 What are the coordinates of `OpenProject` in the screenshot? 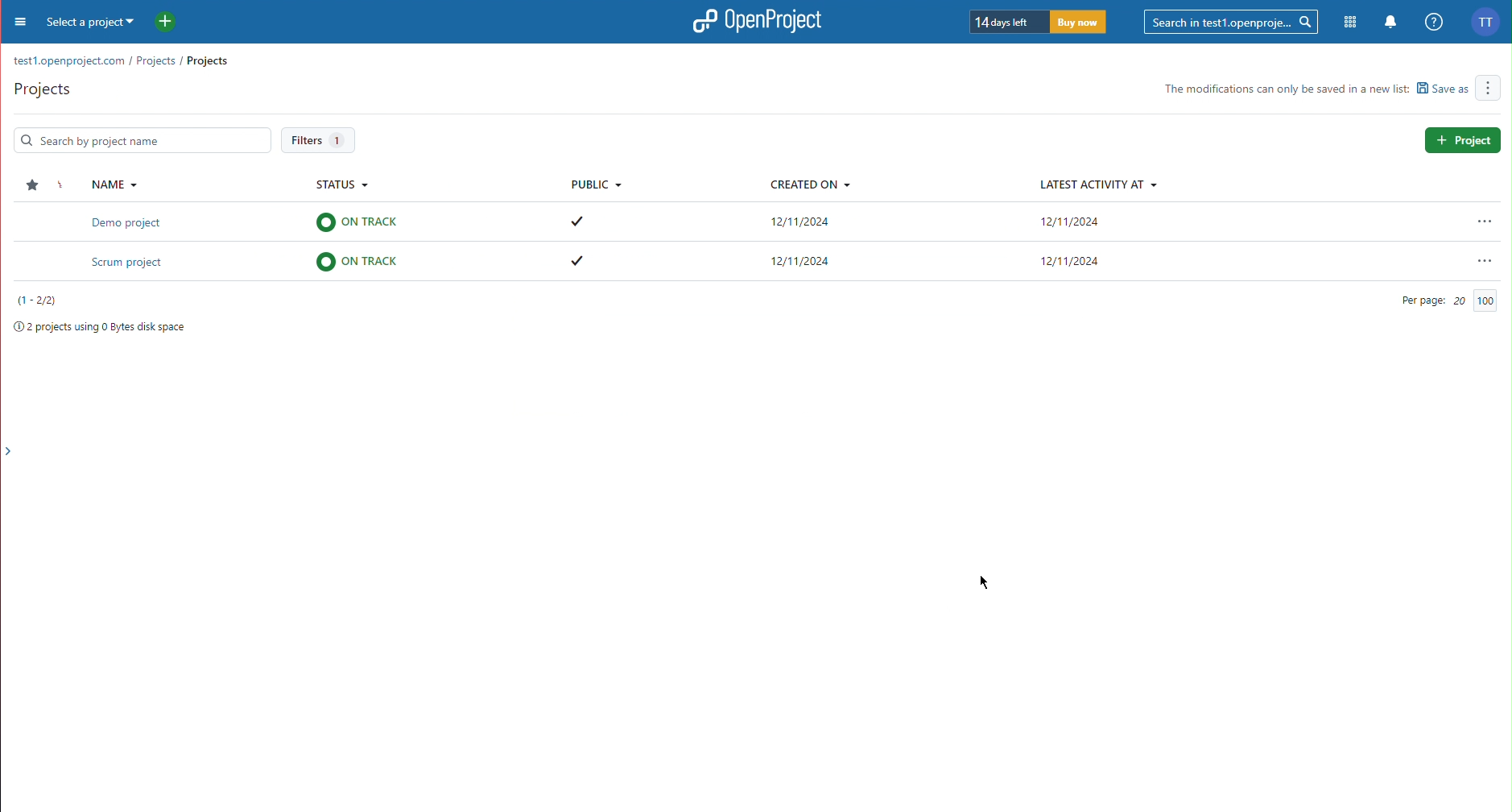 It's located at (756, 20).